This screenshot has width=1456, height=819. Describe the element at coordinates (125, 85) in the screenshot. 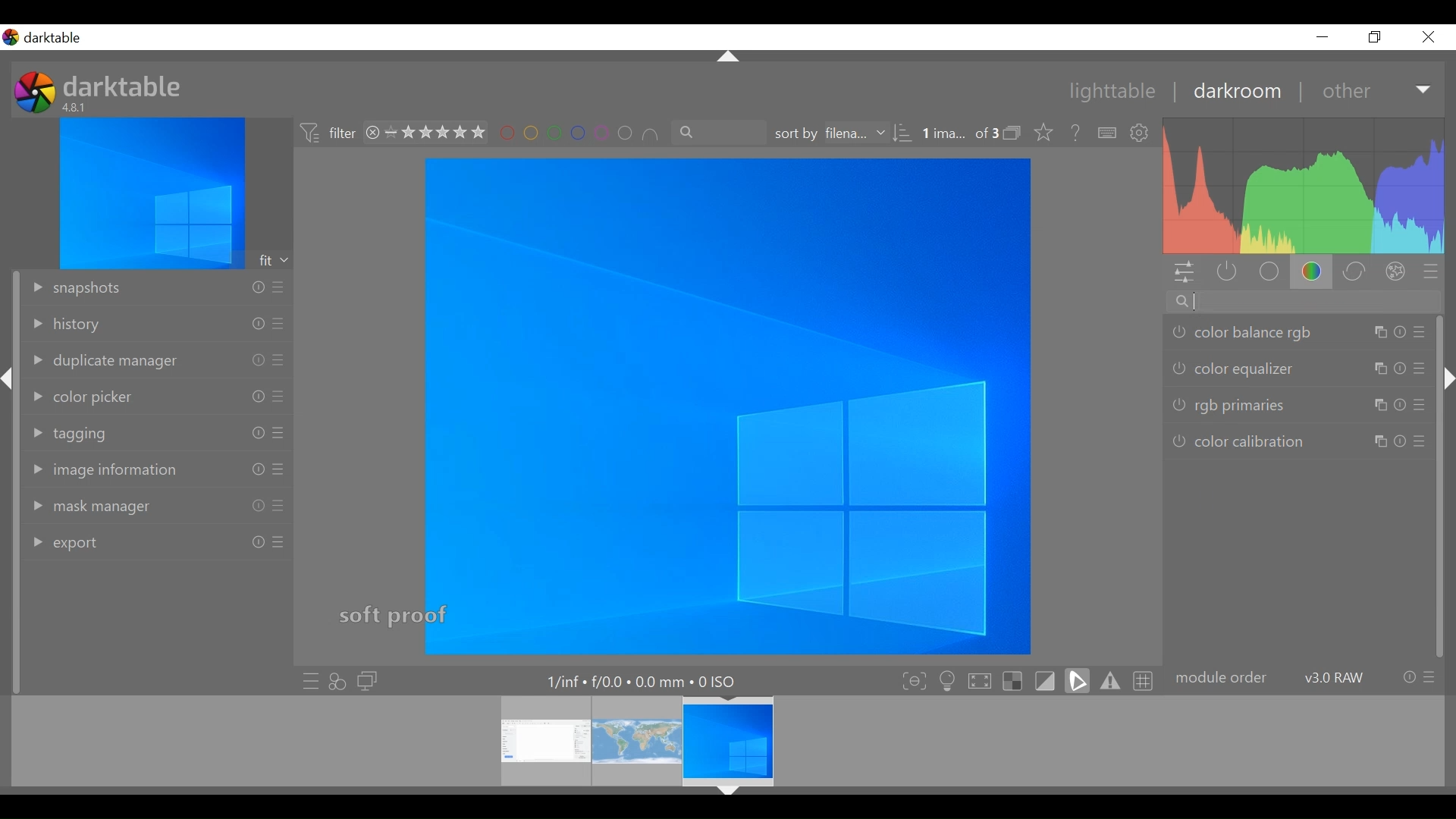

I see `darktable` at that location.